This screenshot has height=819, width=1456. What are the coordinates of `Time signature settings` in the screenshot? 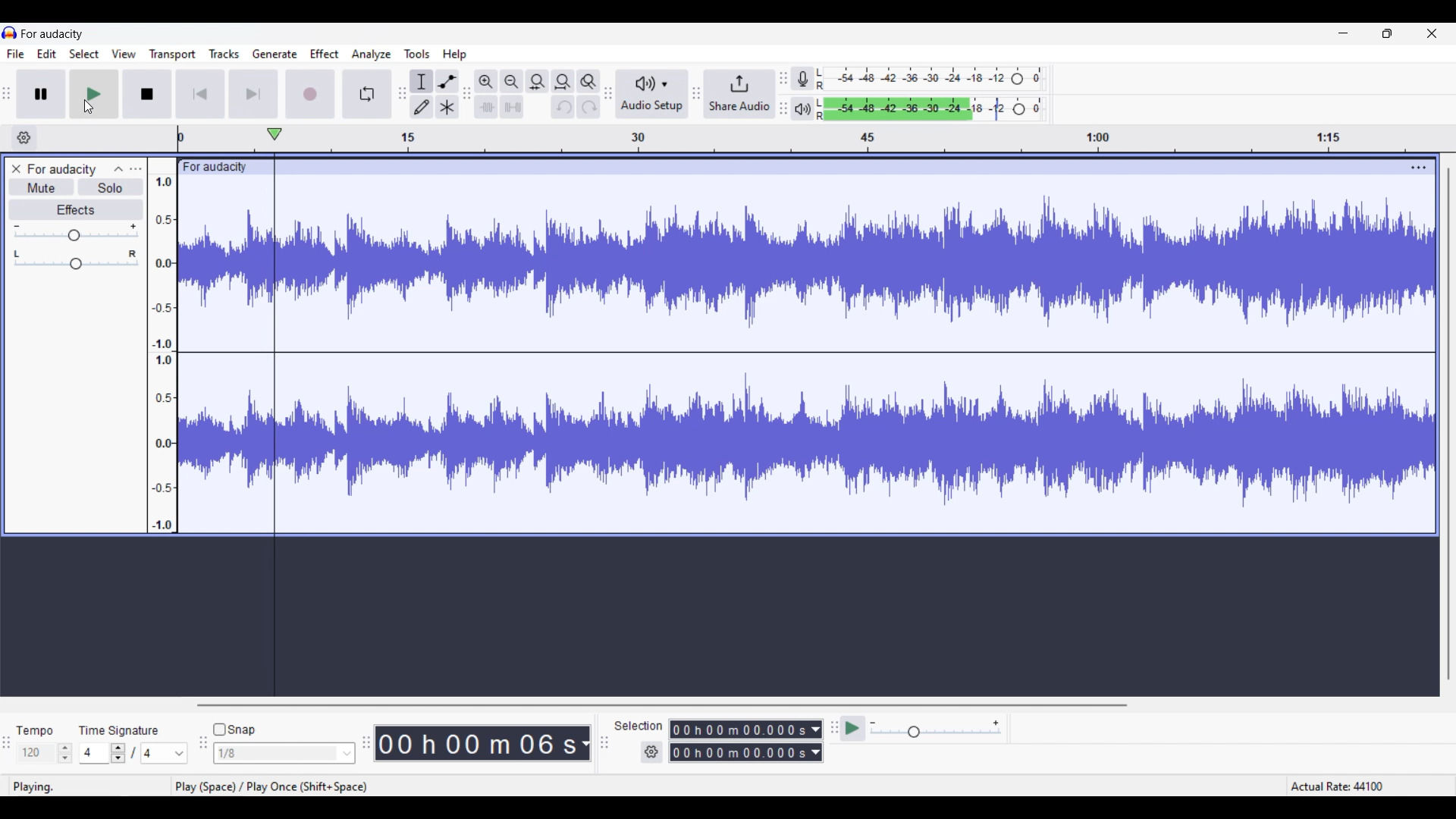 It's located at (135, 753).